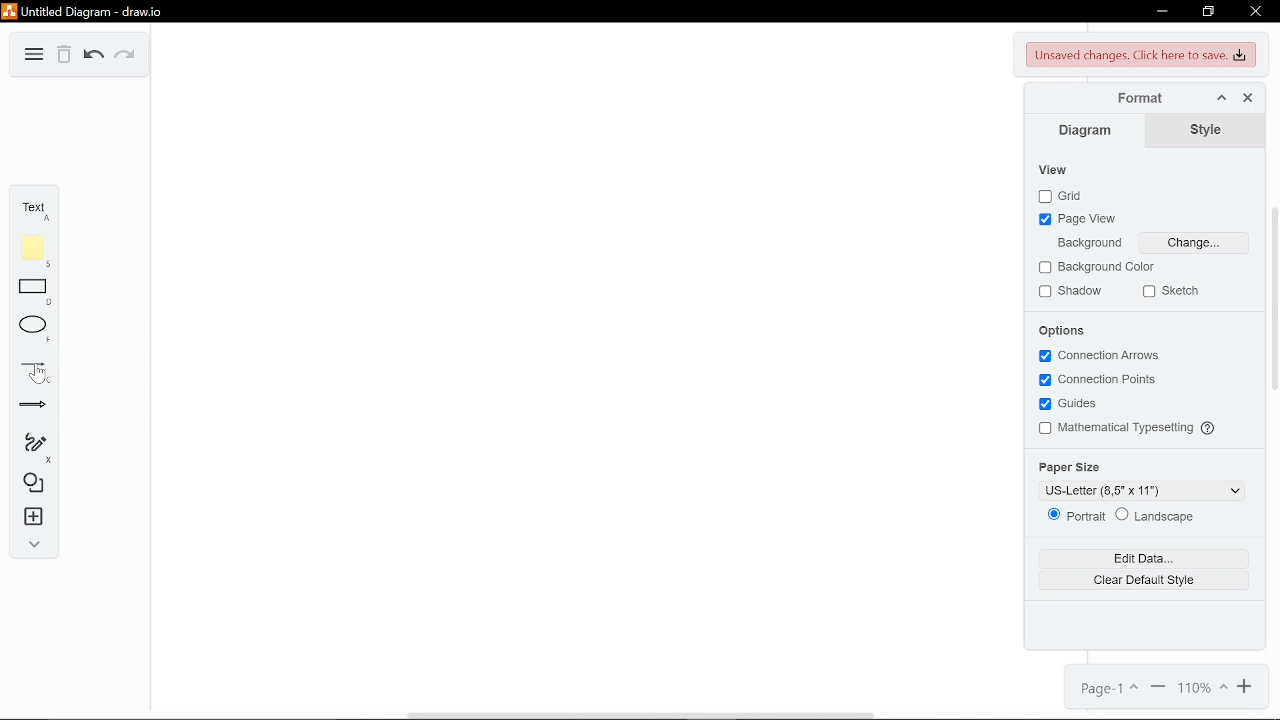  What do you see at coordinates (126, 56) in the screenshot?
I see `Redo` at bounding box center [126, 56].